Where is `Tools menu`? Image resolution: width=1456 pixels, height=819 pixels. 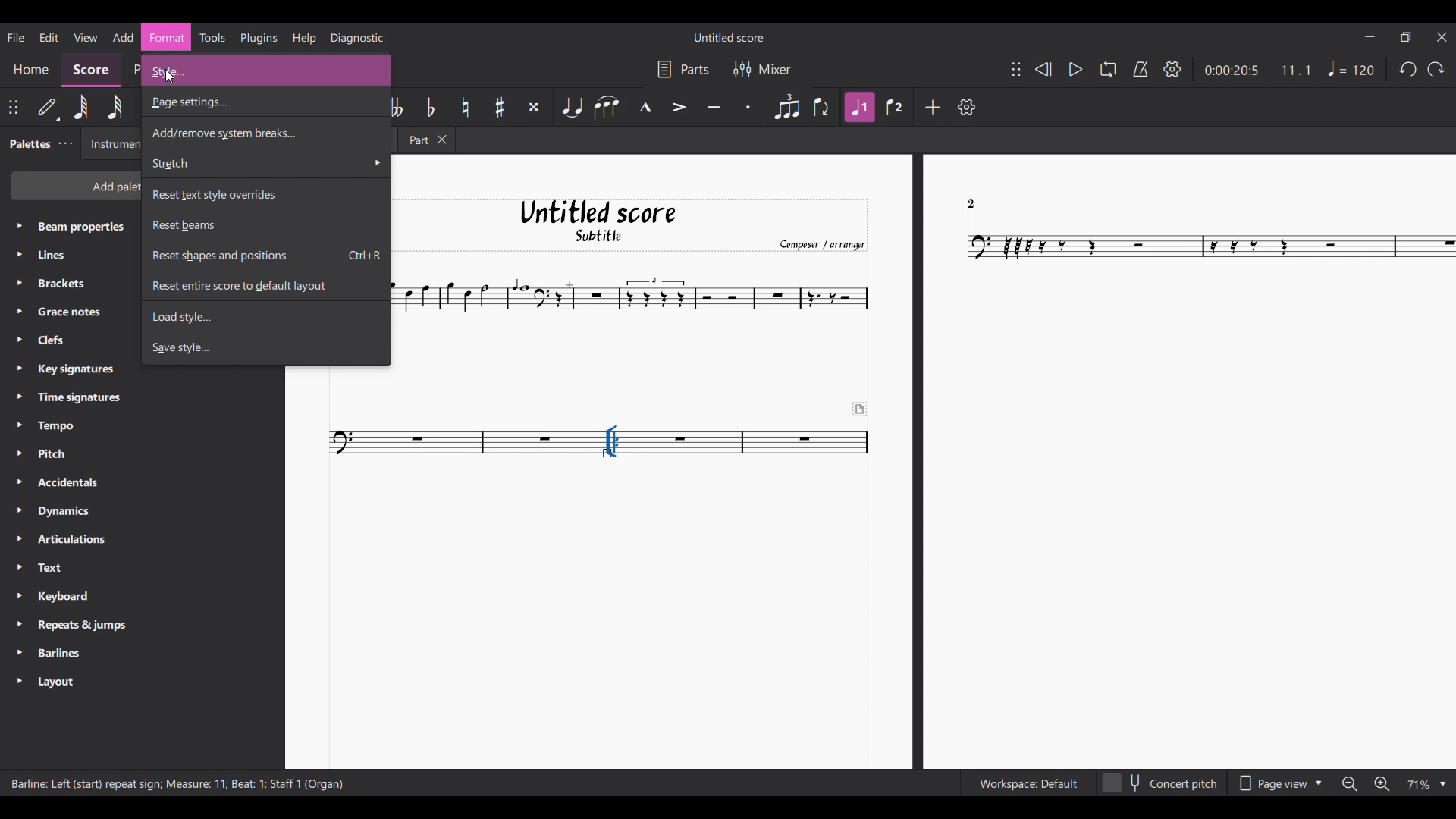
Tools menu is located at coordinates (212, 37).